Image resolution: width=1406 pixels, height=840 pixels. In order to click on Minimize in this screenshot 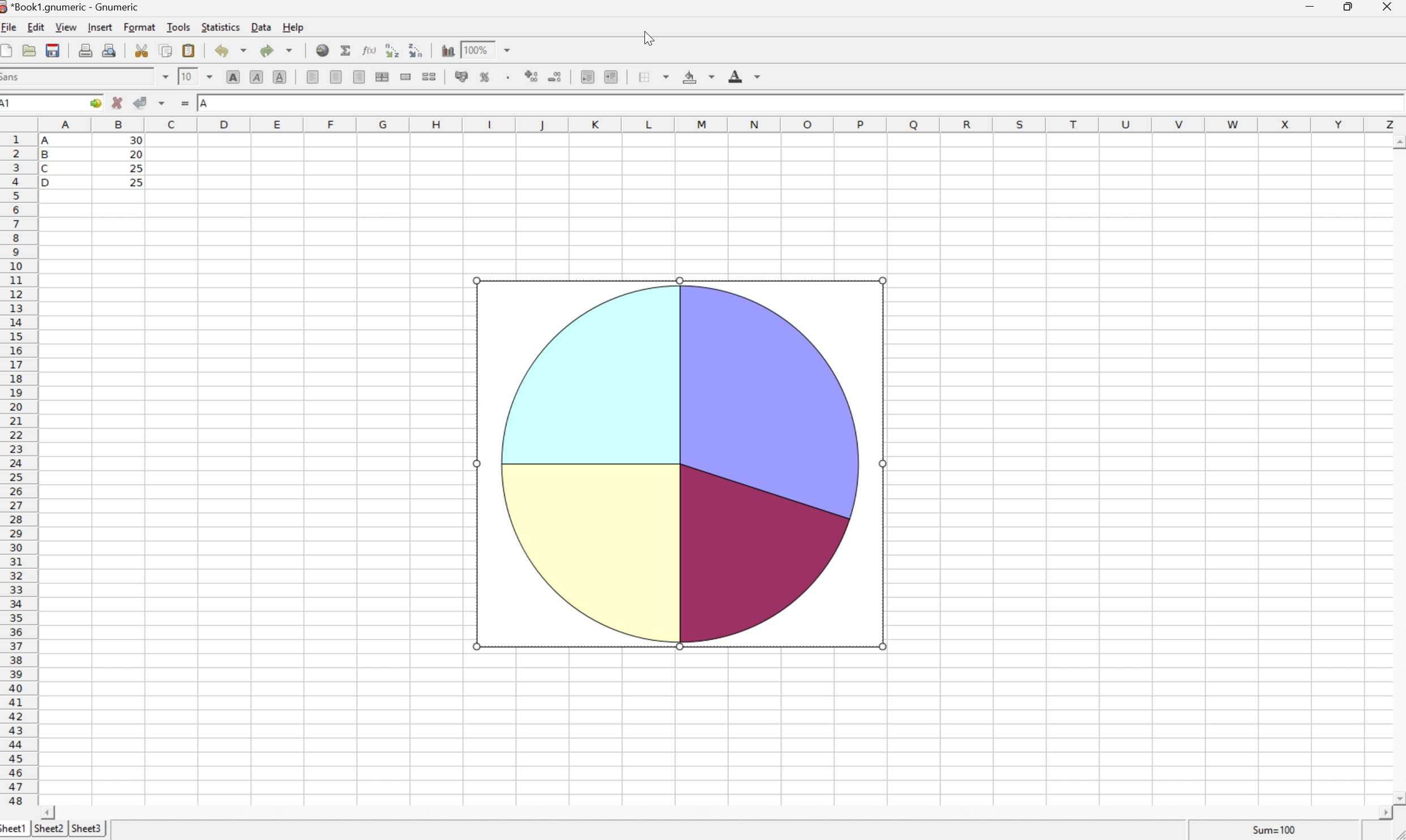, I will do `click(1310, 6)`.